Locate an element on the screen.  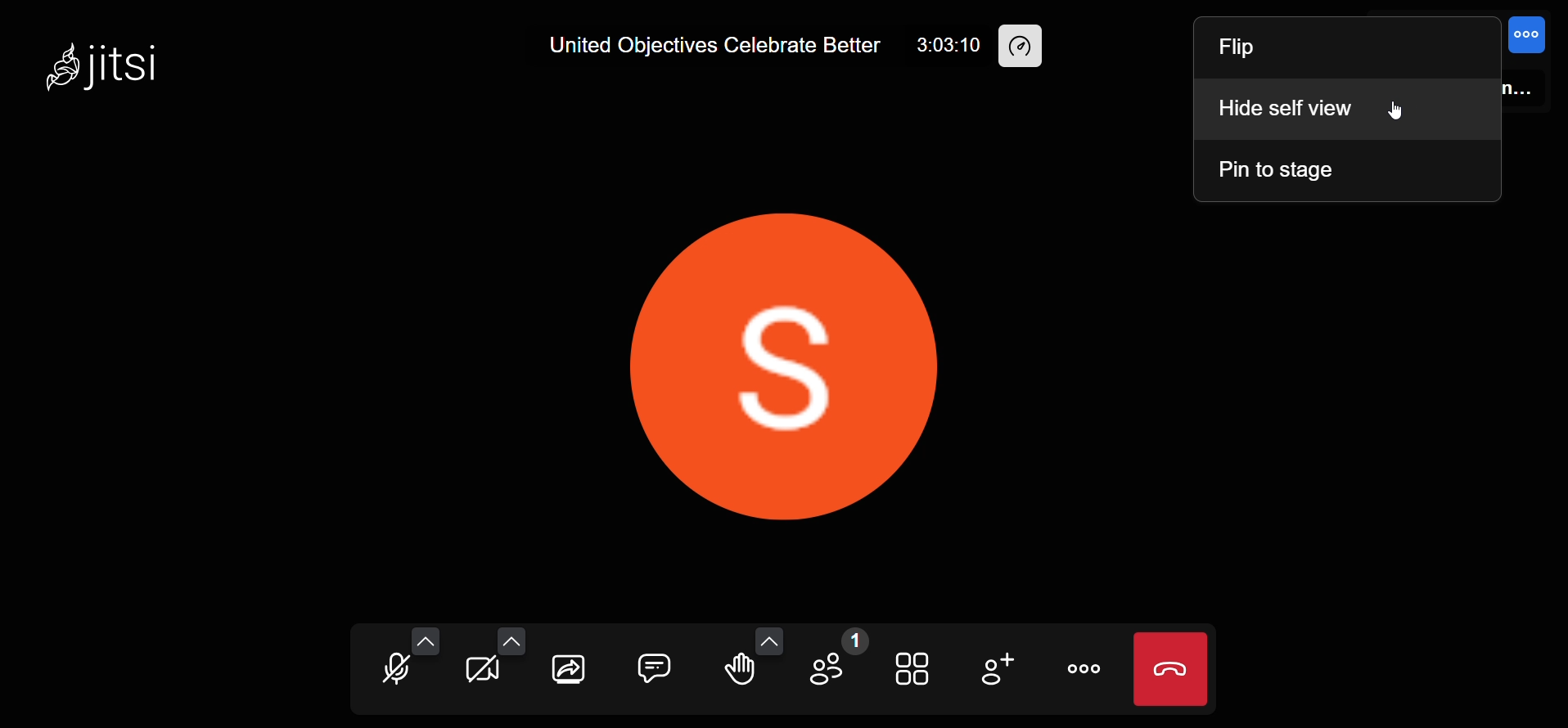
leave meeting is located at coordinates (1172, 671).